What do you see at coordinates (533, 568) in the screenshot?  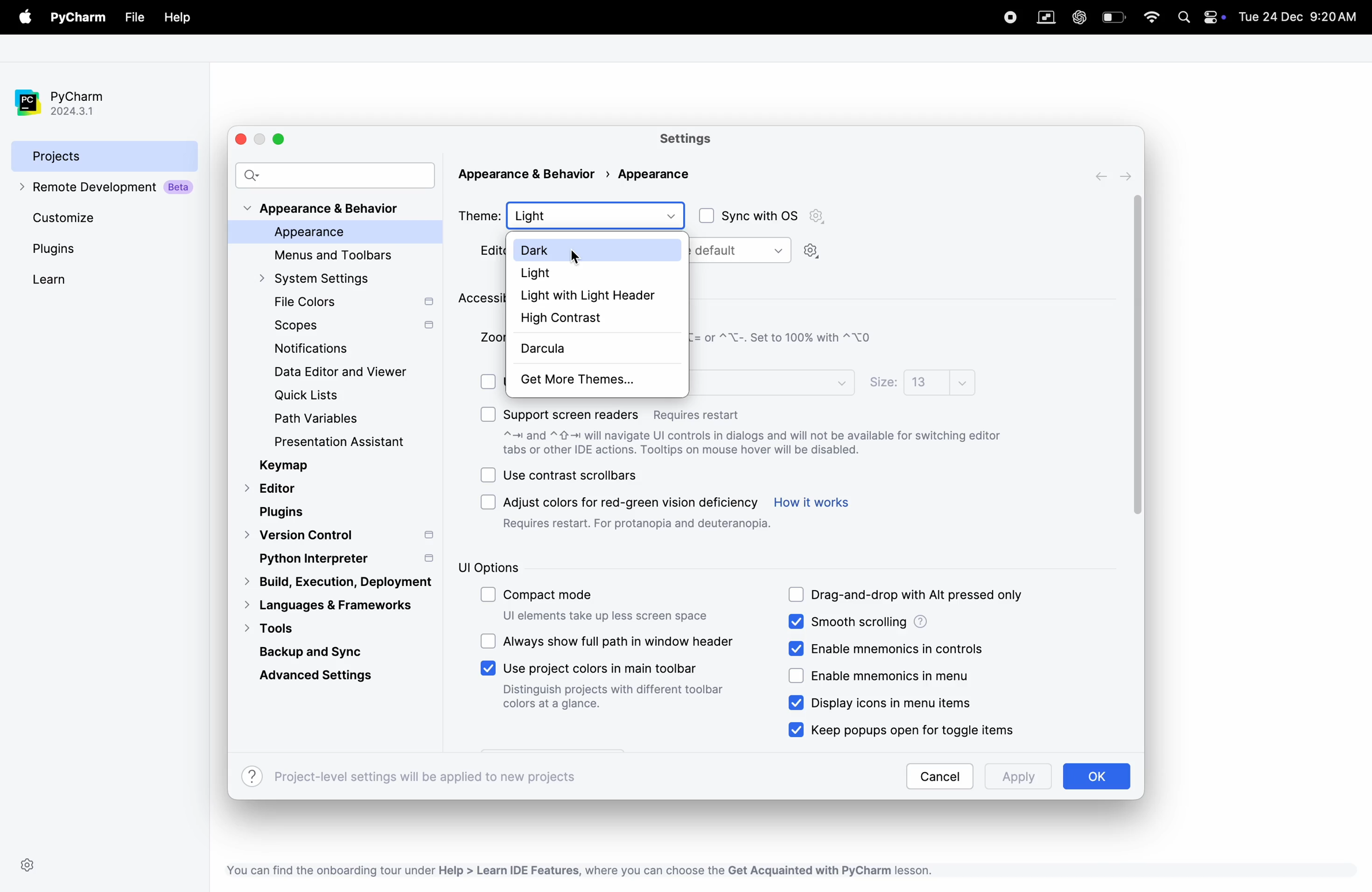 I see `Ui options` at bounding box center [533, 568].